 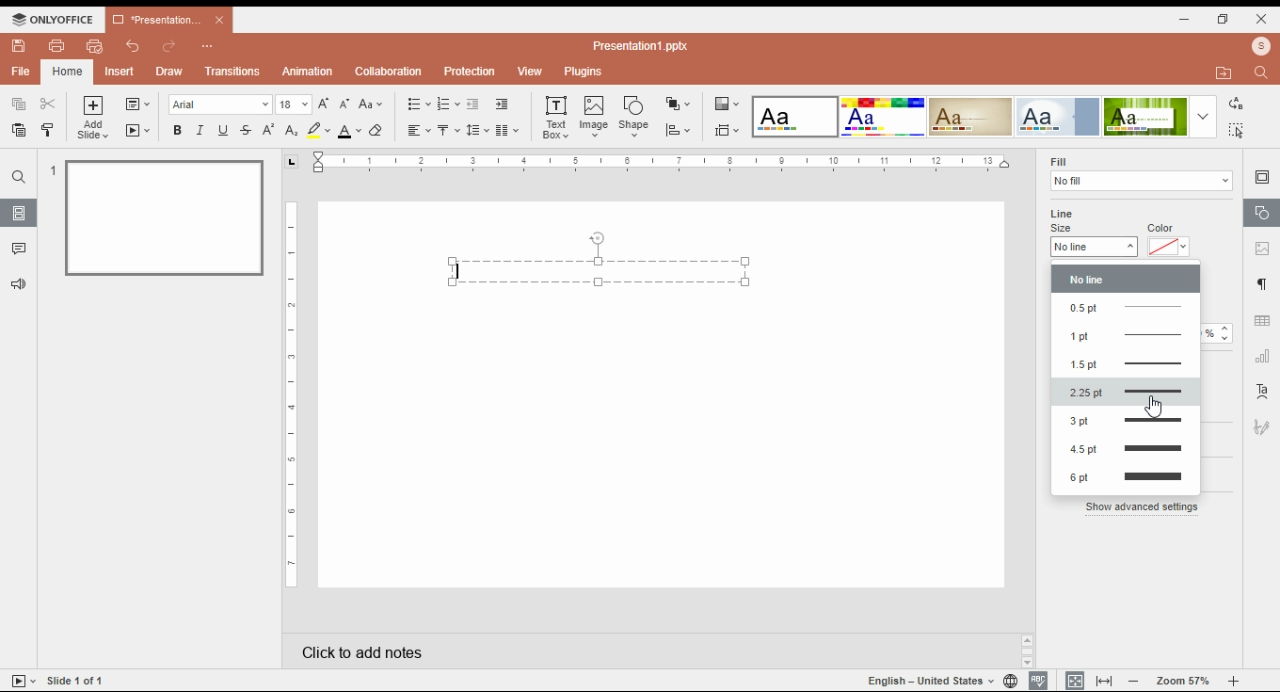 I want to click on increase indent, so click(x=501, y=104).